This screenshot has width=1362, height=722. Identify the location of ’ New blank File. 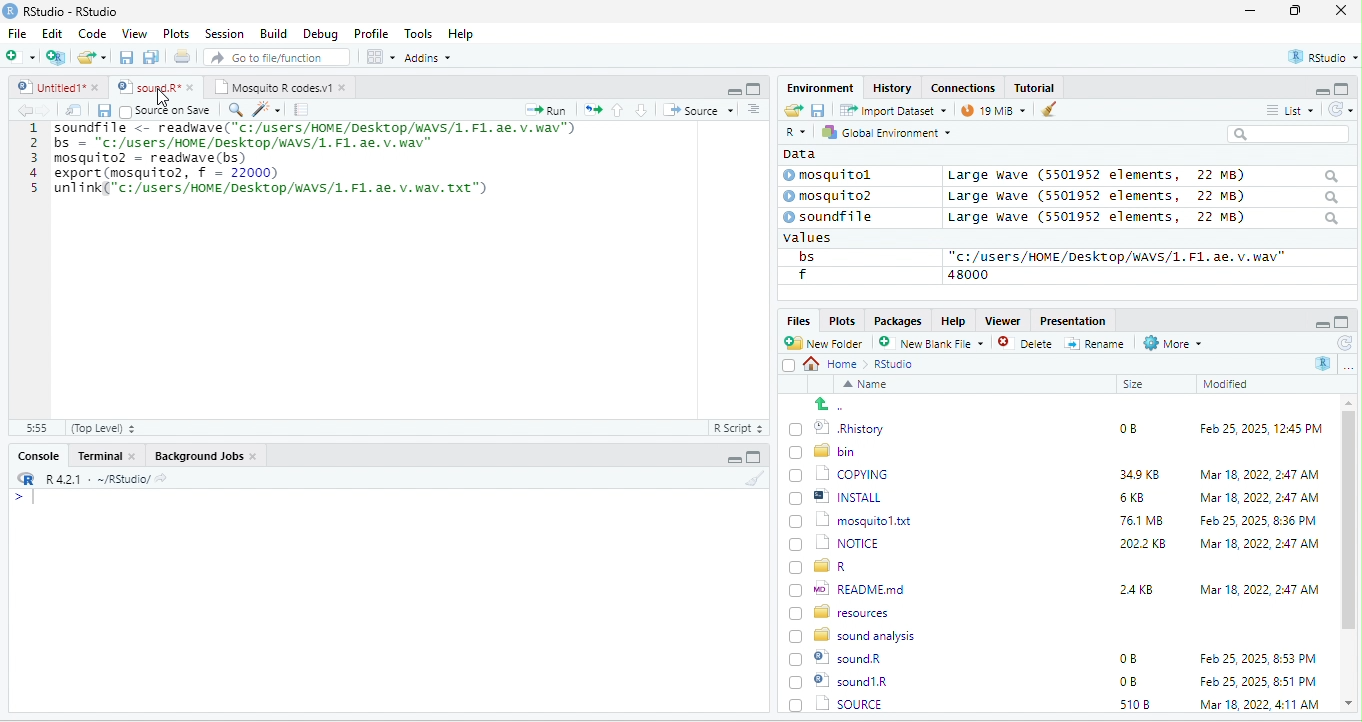
(937, 346).